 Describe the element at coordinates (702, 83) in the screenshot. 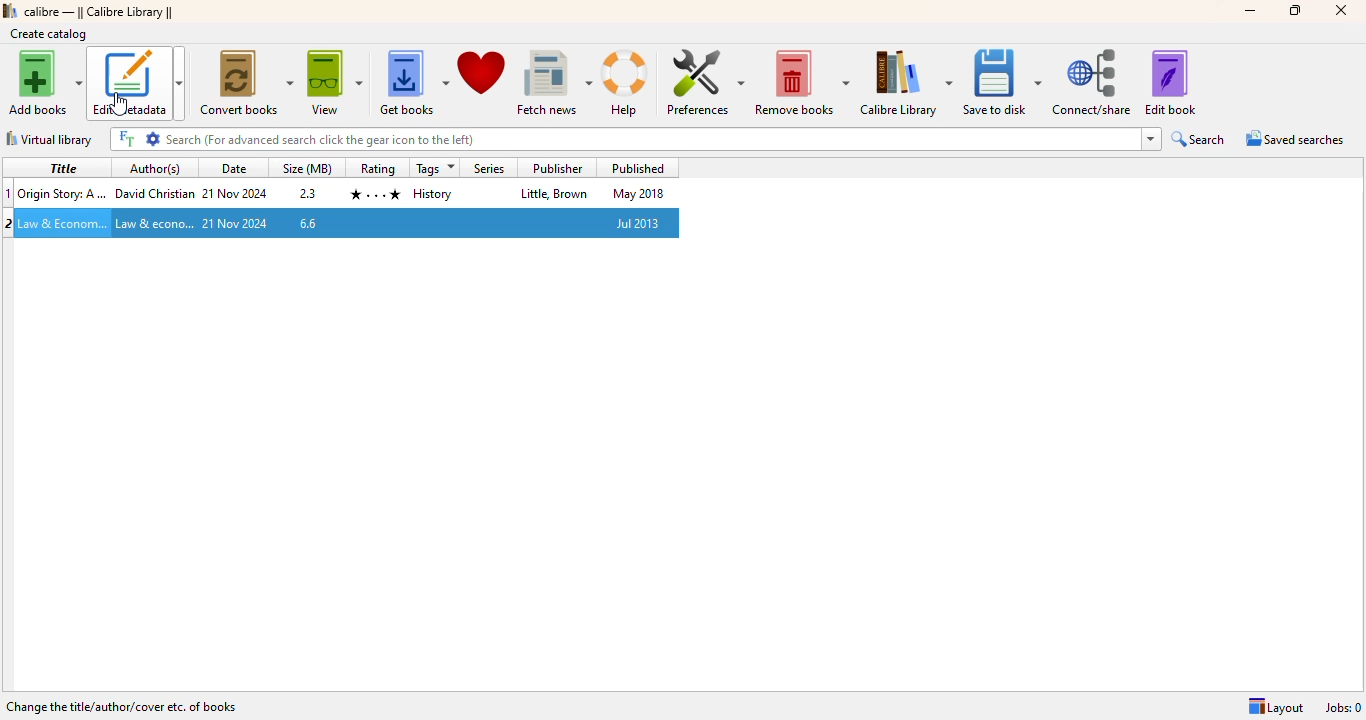

I see `preferences` at that location.